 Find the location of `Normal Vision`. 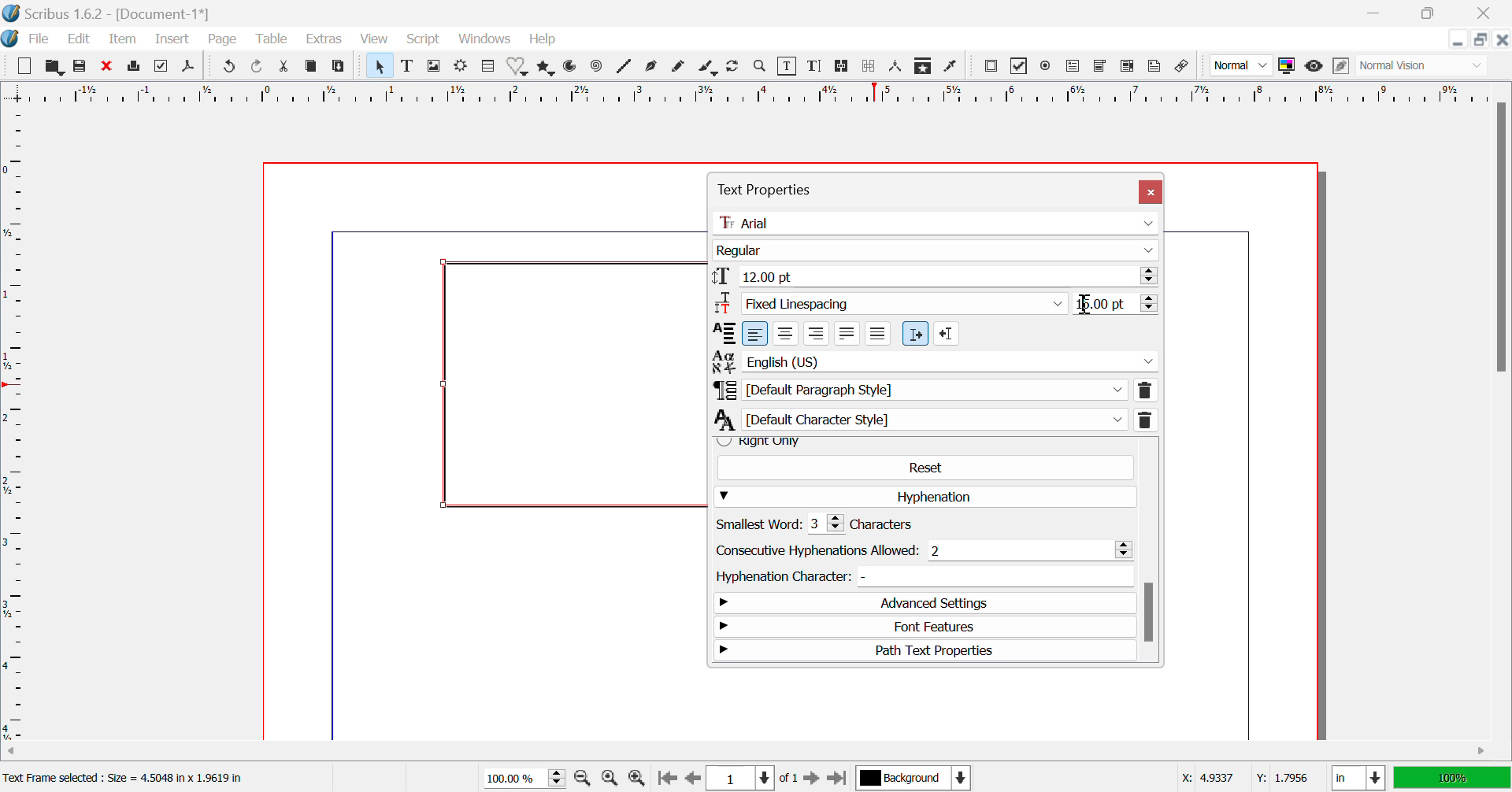

Normal Vision is located at coordinates (1425, 67).